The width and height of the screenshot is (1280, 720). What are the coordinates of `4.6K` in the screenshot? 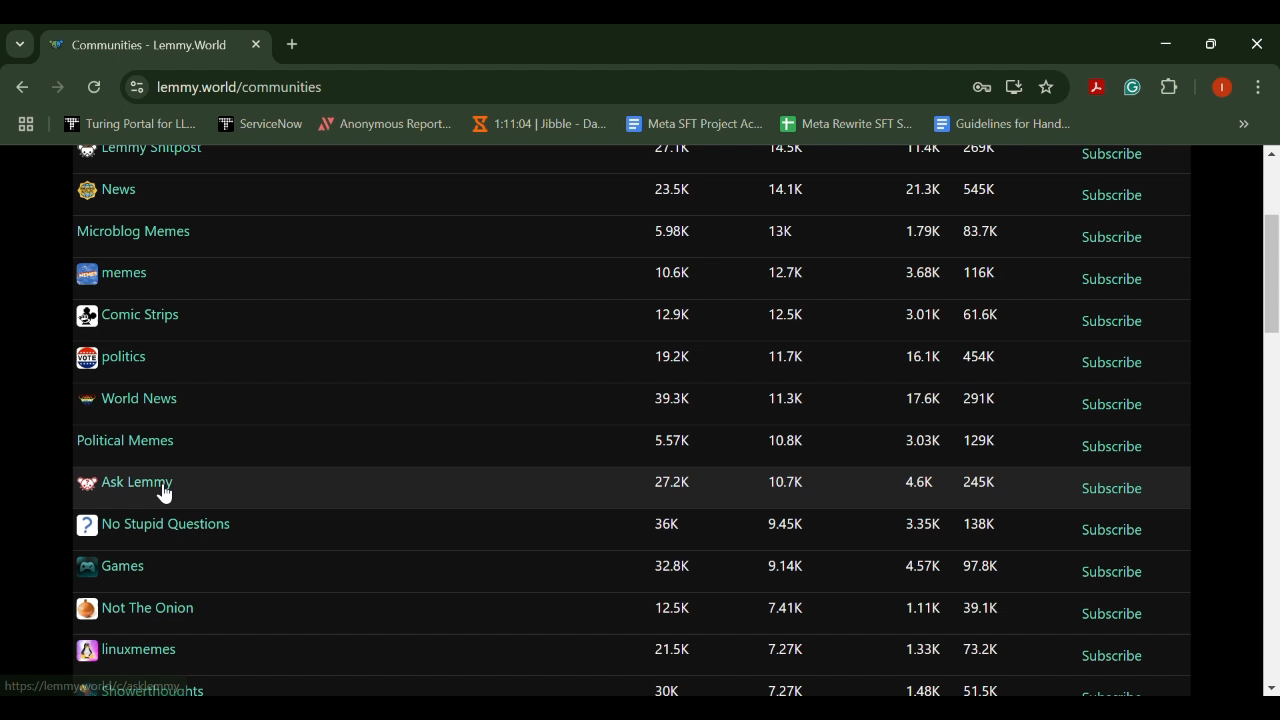 It's located at (918, 483).